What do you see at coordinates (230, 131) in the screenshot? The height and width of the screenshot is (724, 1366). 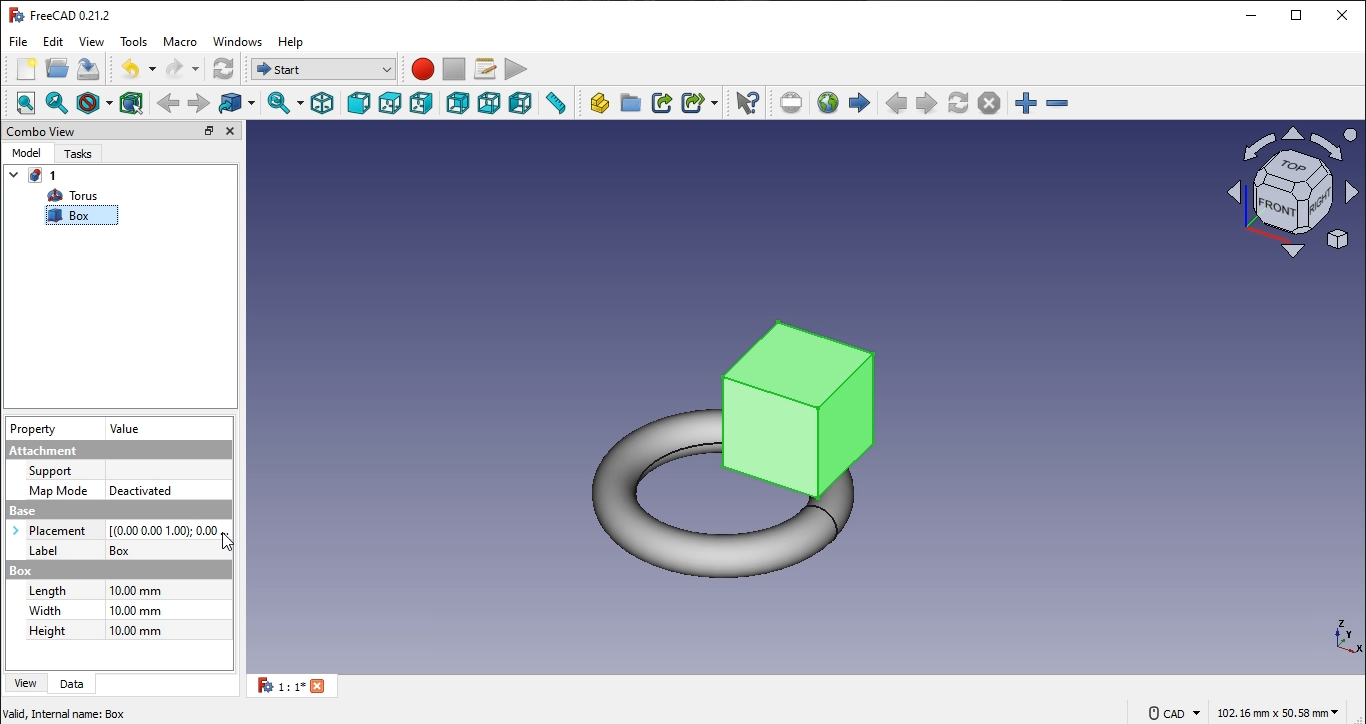 I see `close` at bounding box center [230, 131].